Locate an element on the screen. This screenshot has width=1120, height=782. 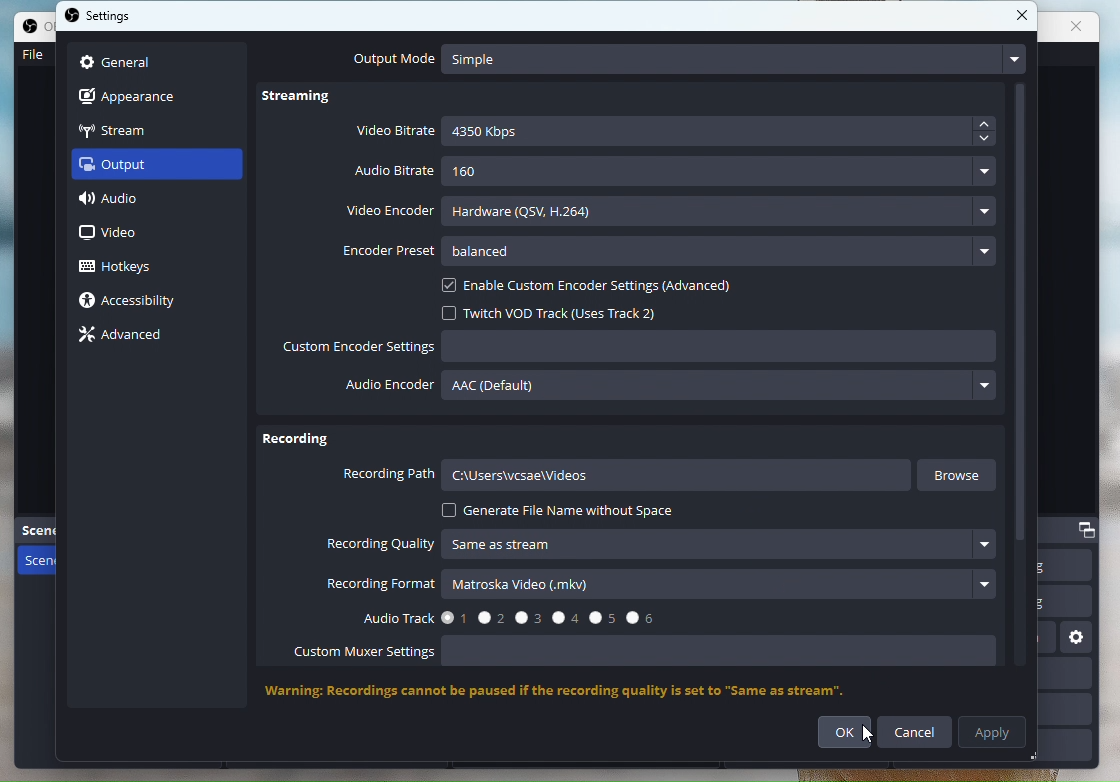
apply is located at coordinates (995, 733).